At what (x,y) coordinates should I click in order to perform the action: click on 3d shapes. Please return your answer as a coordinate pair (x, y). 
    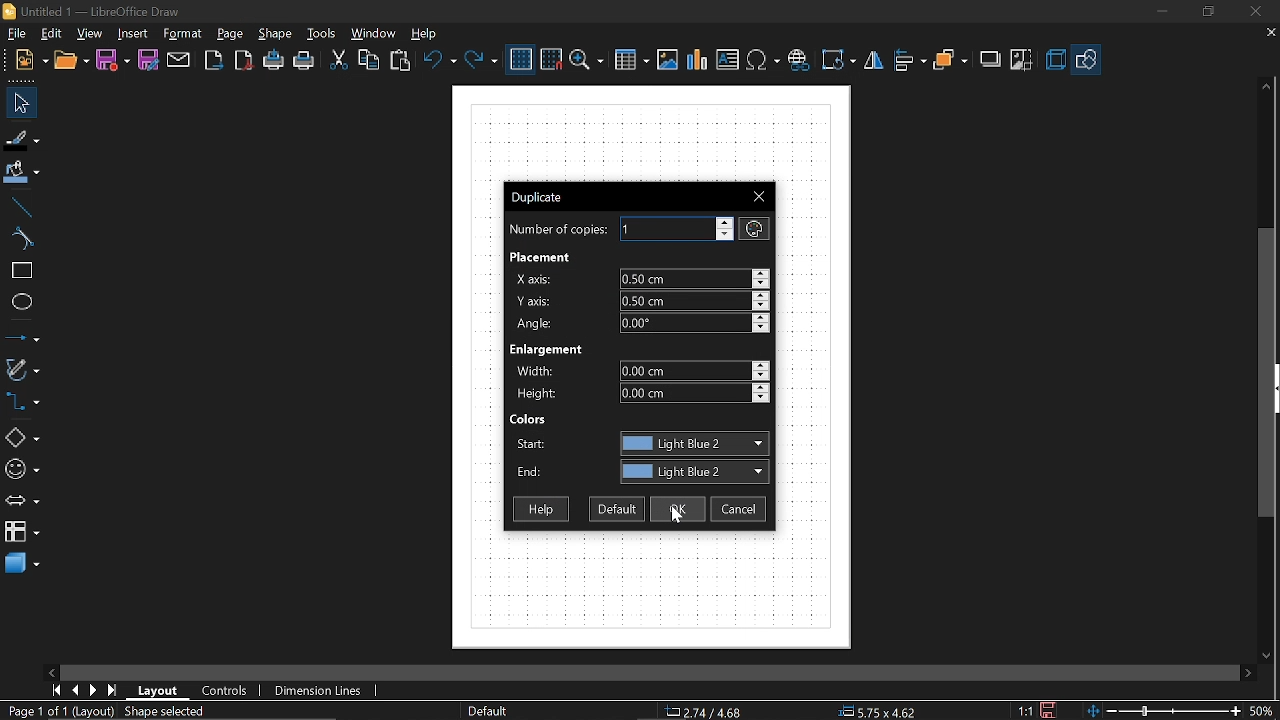
    Looking at the image, I should click on (21, 565).